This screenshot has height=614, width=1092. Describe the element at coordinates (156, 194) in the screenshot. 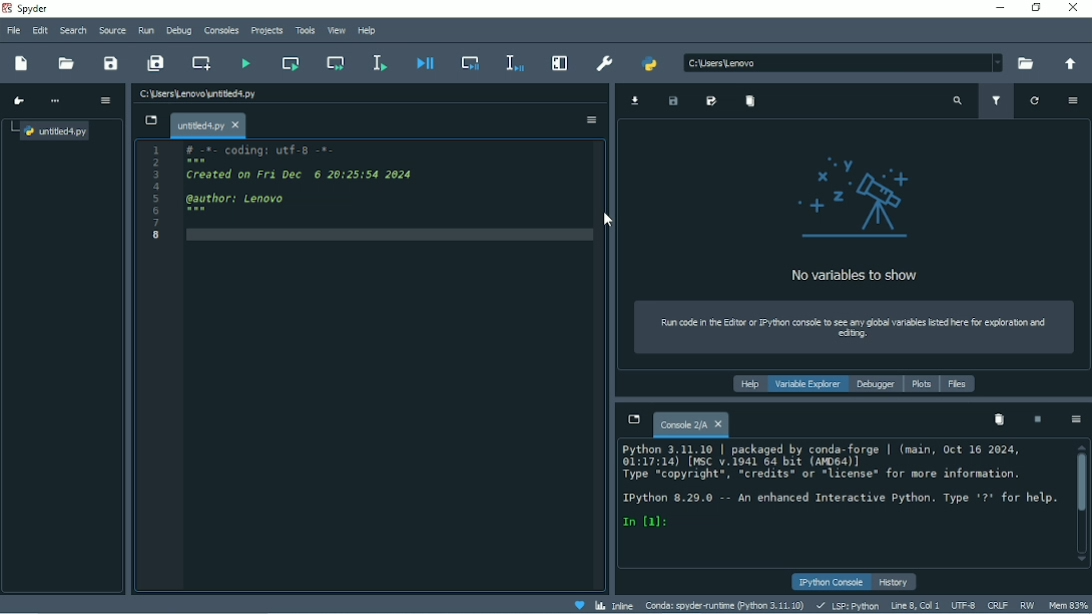

I see `Serial numbers` at that location.